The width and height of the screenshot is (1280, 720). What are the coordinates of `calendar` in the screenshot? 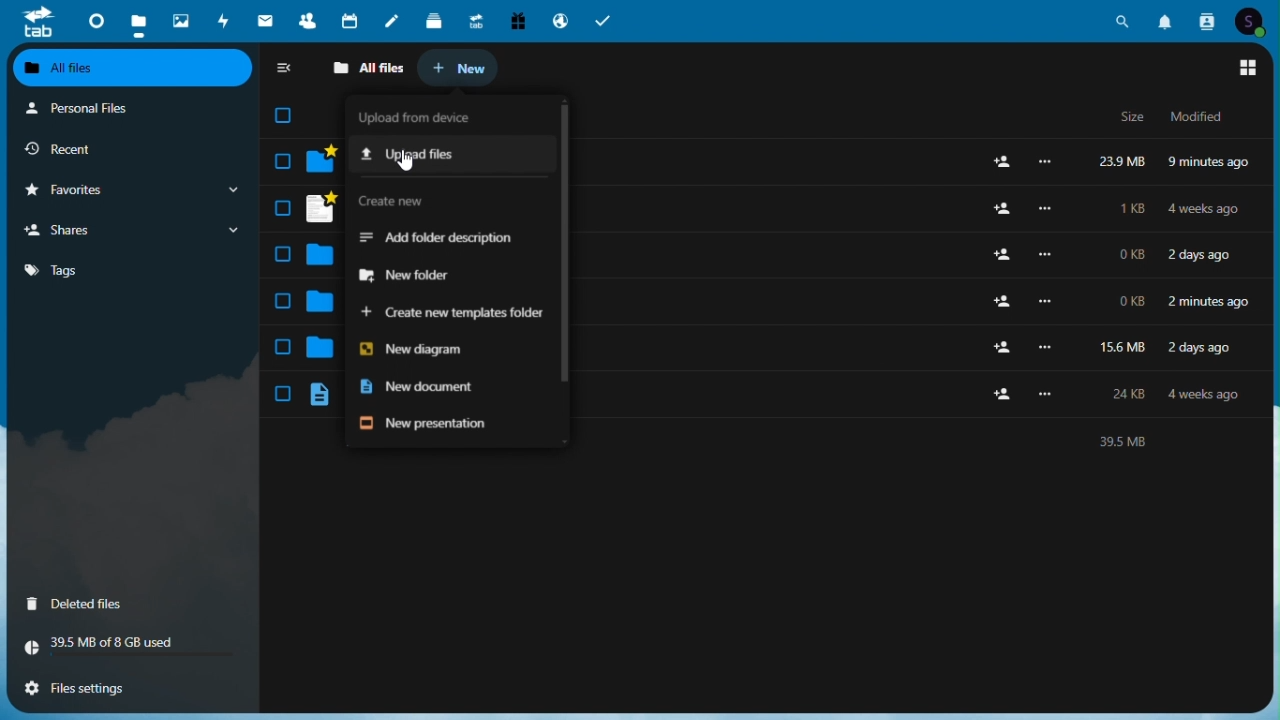 It's located at (351, 20).